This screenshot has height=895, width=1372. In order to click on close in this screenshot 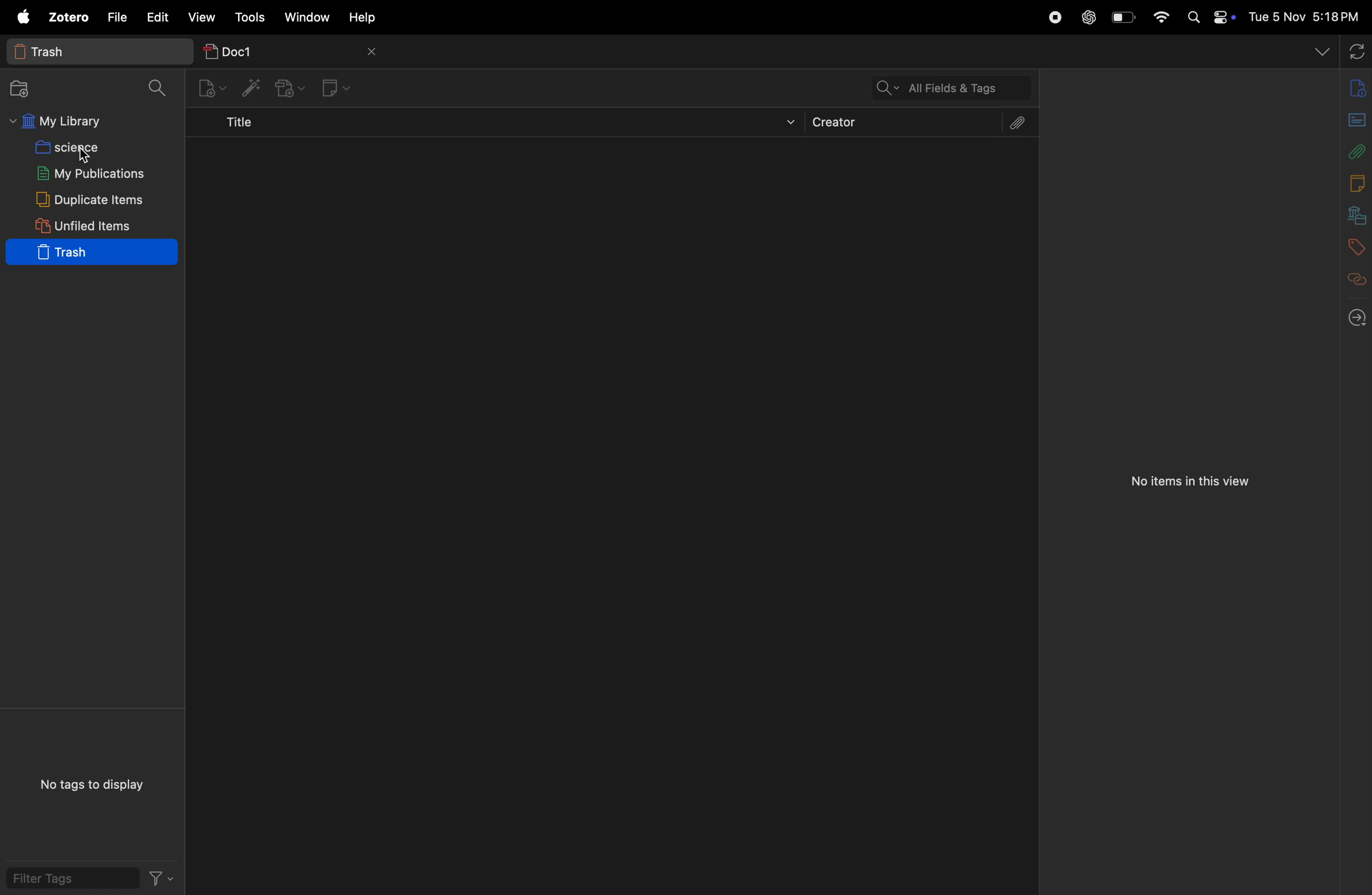, I will do `click(373, 52)`.